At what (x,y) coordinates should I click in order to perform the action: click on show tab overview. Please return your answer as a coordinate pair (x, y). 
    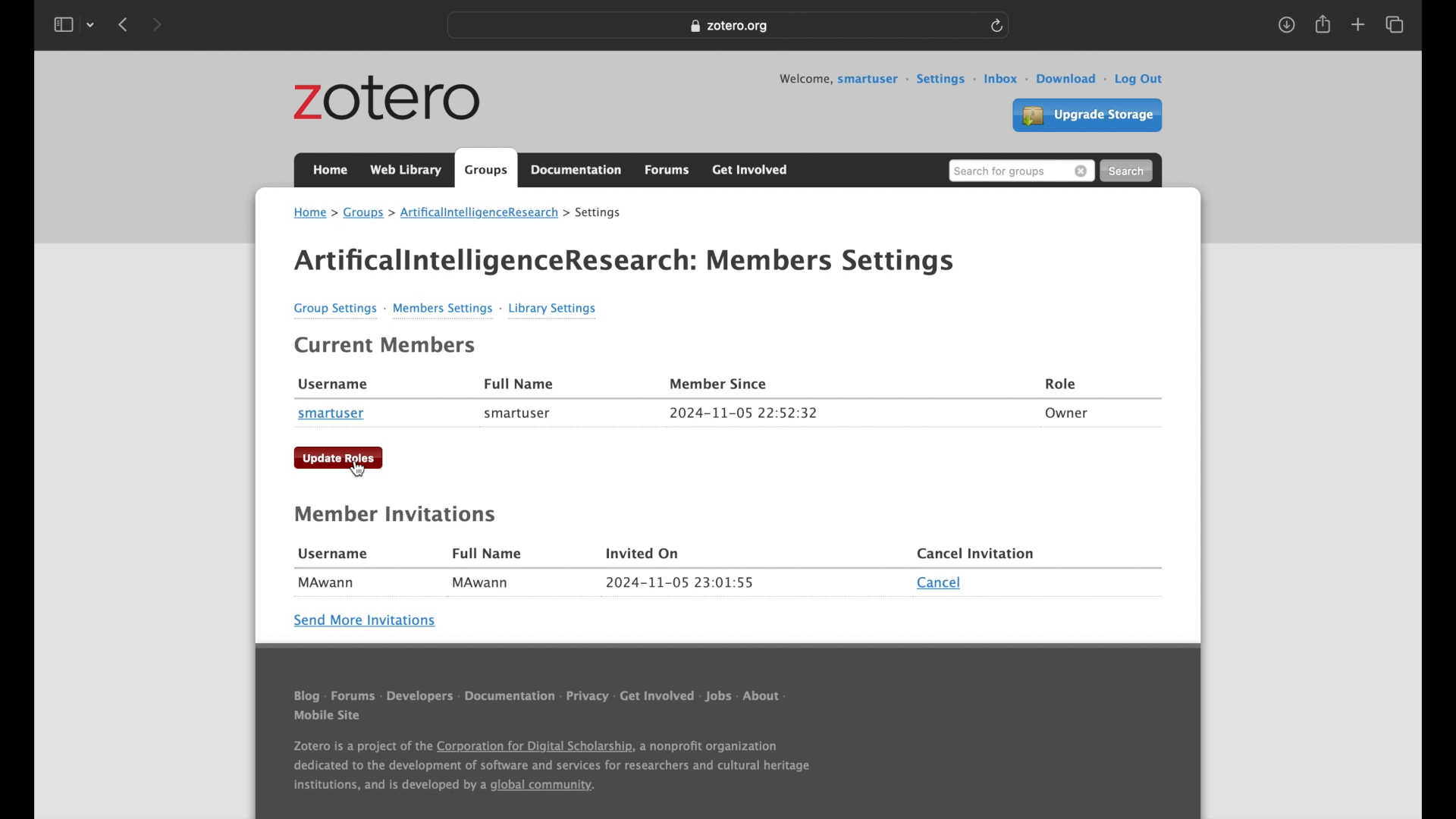
    Looking at the image, I should click on (1396, 25).